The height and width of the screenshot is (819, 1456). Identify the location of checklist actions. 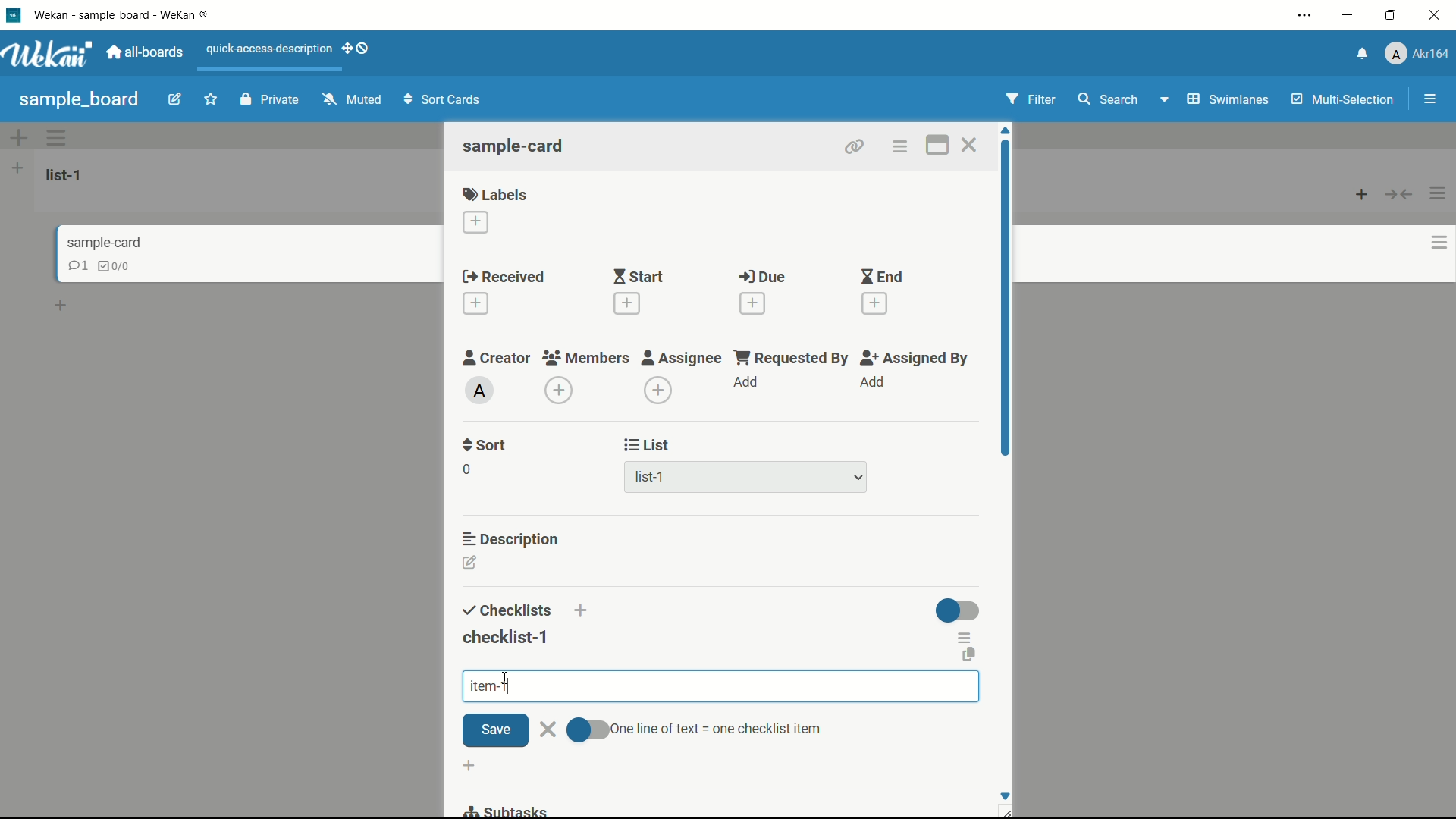
(965, 638).